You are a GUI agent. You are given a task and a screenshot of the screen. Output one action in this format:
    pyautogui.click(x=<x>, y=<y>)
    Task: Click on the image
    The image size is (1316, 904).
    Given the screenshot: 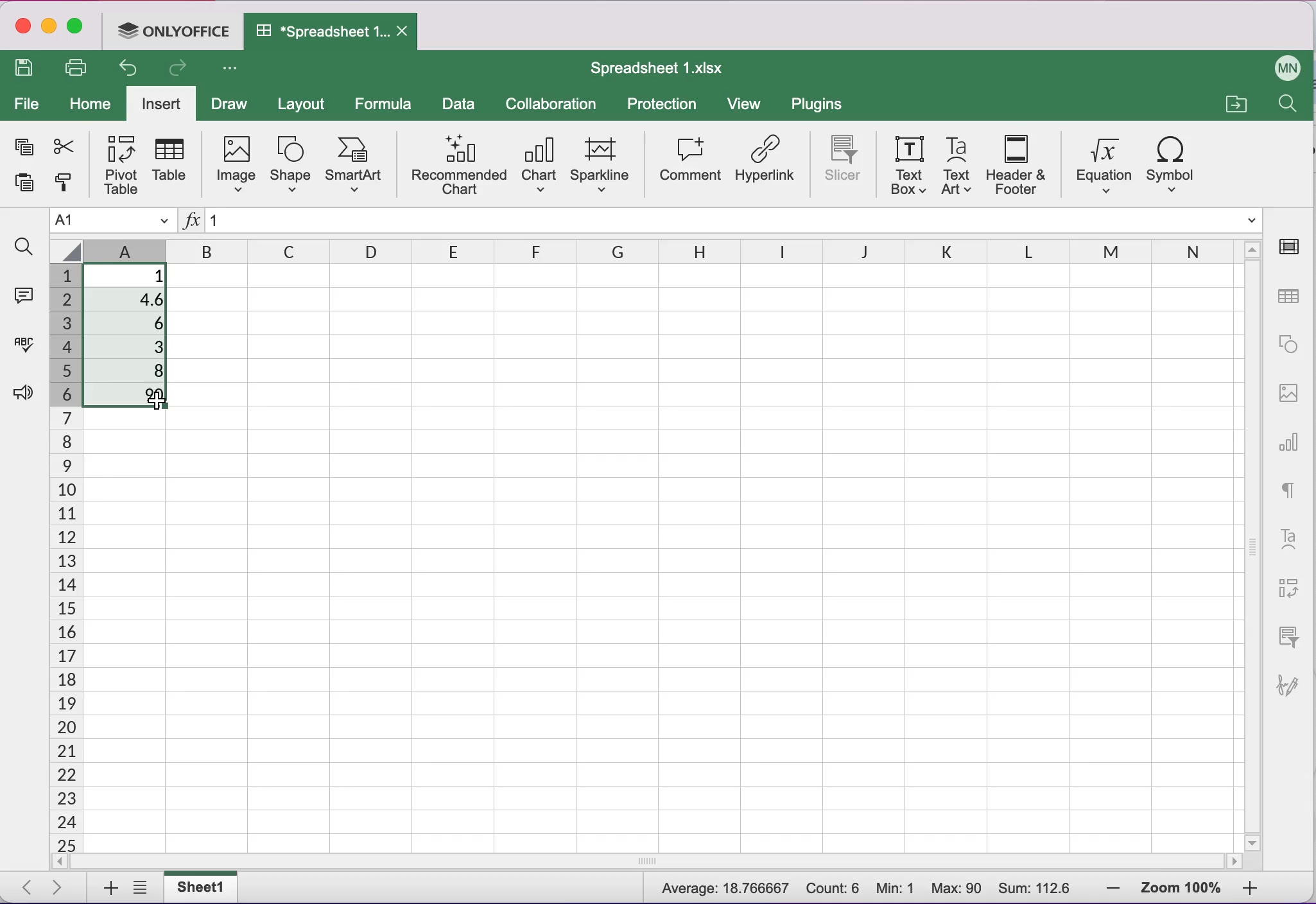 What is the action you would take?
    pyautogui.click(x=235, y=166)
    